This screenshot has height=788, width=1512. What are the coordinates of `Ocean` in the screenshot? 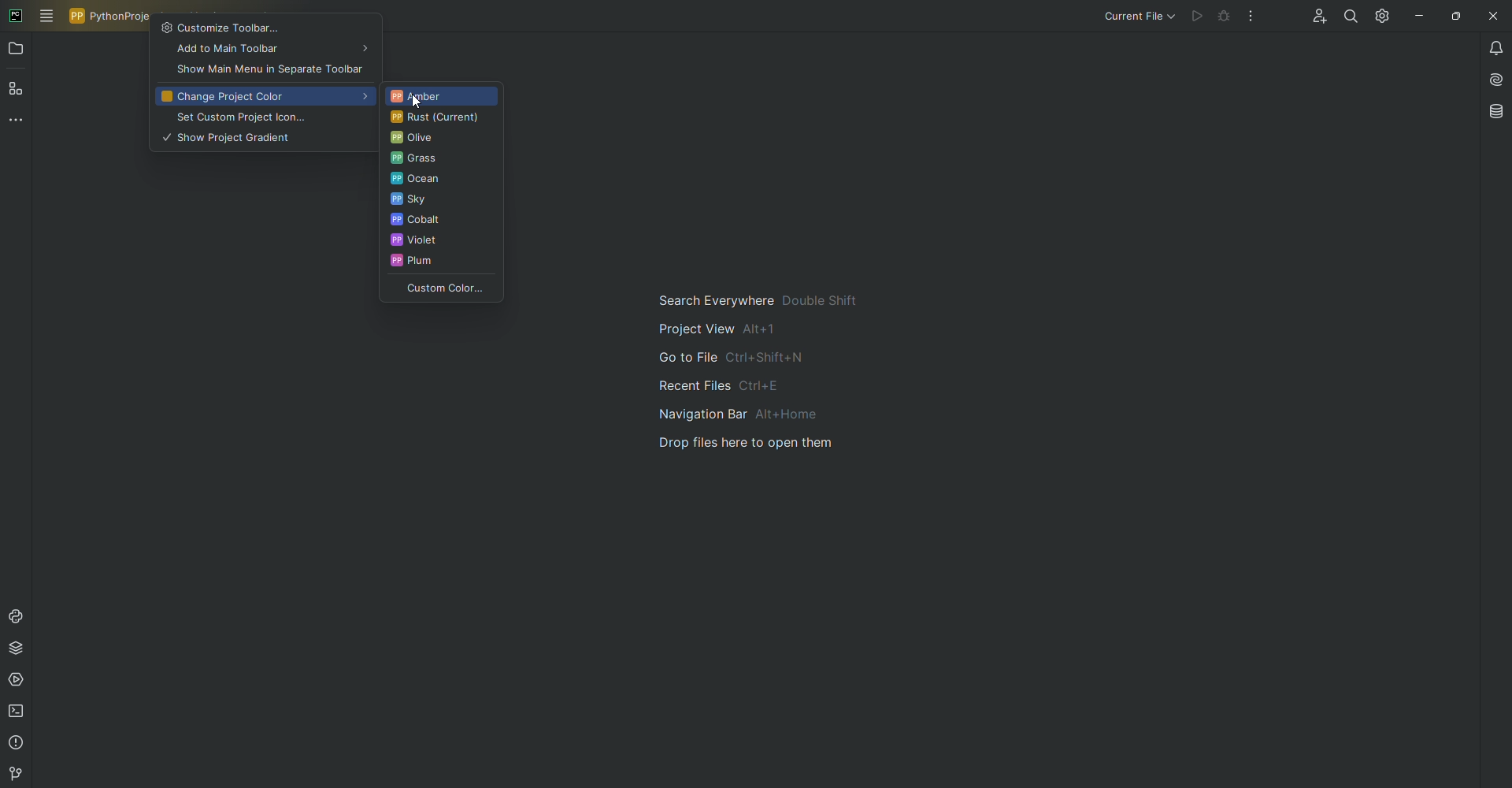 It's located at (443, 180).